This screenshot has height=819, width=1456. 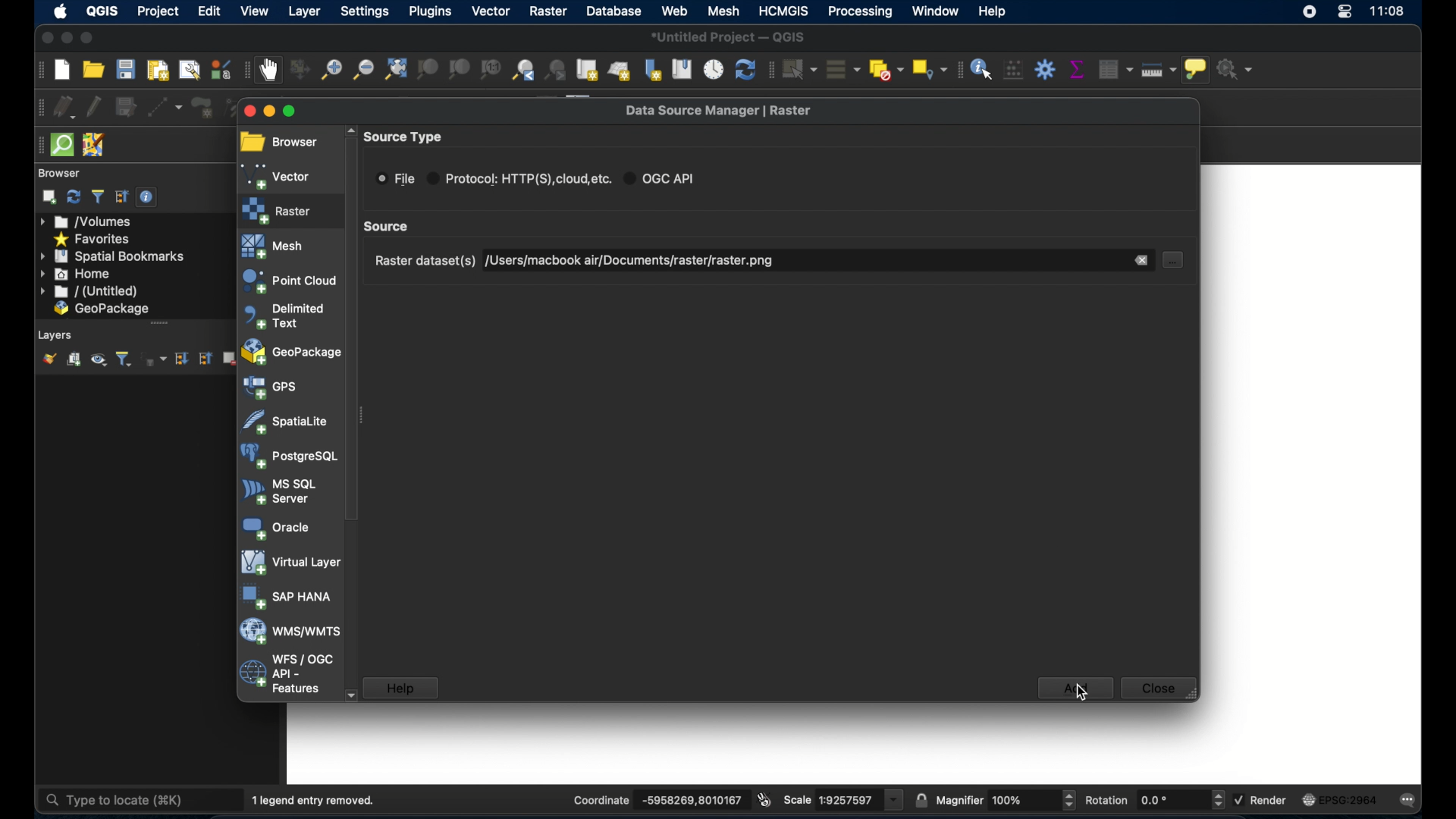 What do you see at coordinates (1311, 14) in the screenshot?
I see `screen recorder` at bounding box center [1311, 14].